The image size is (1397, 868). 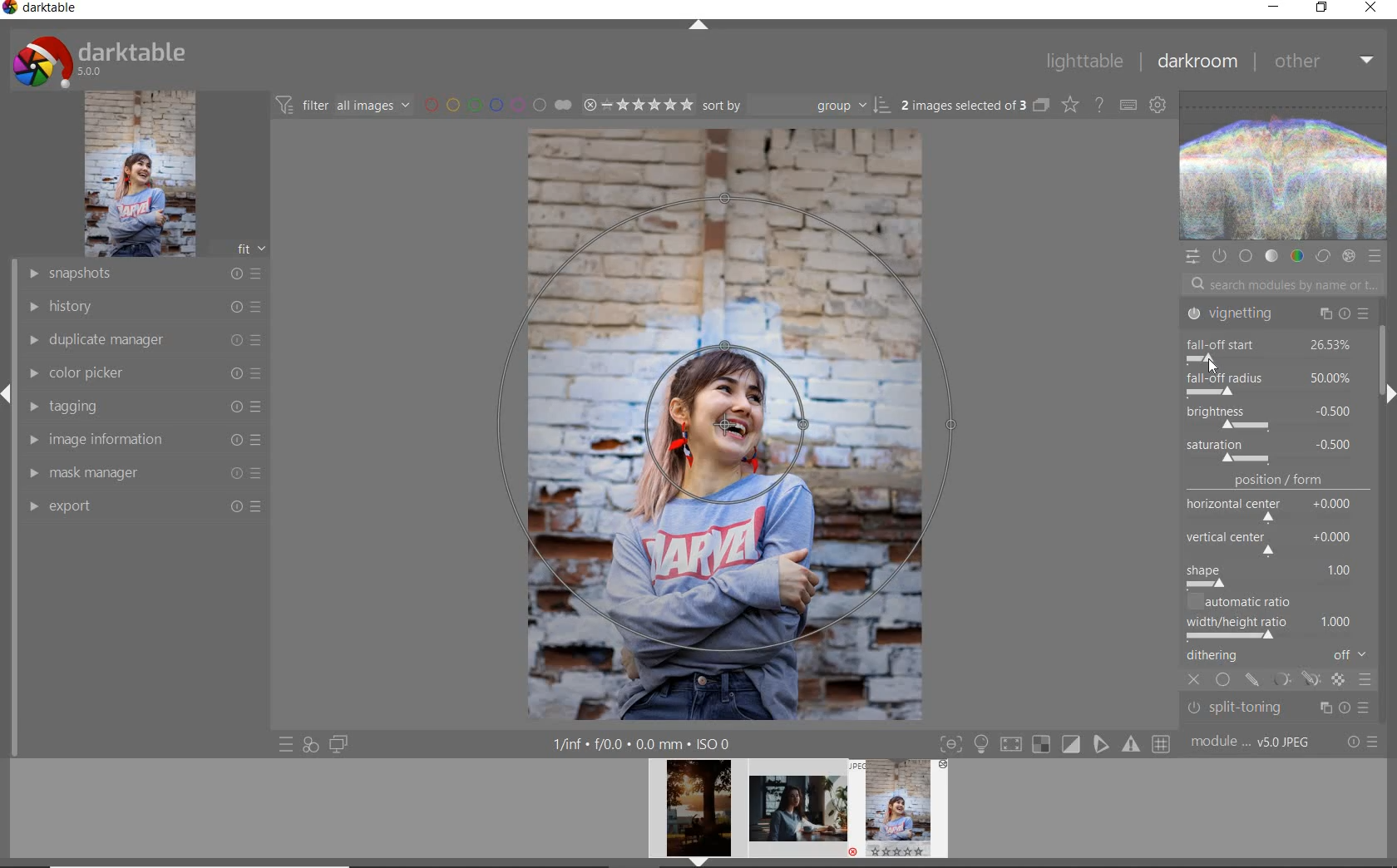 I want to click on preset, so click(x=1375, y=256).